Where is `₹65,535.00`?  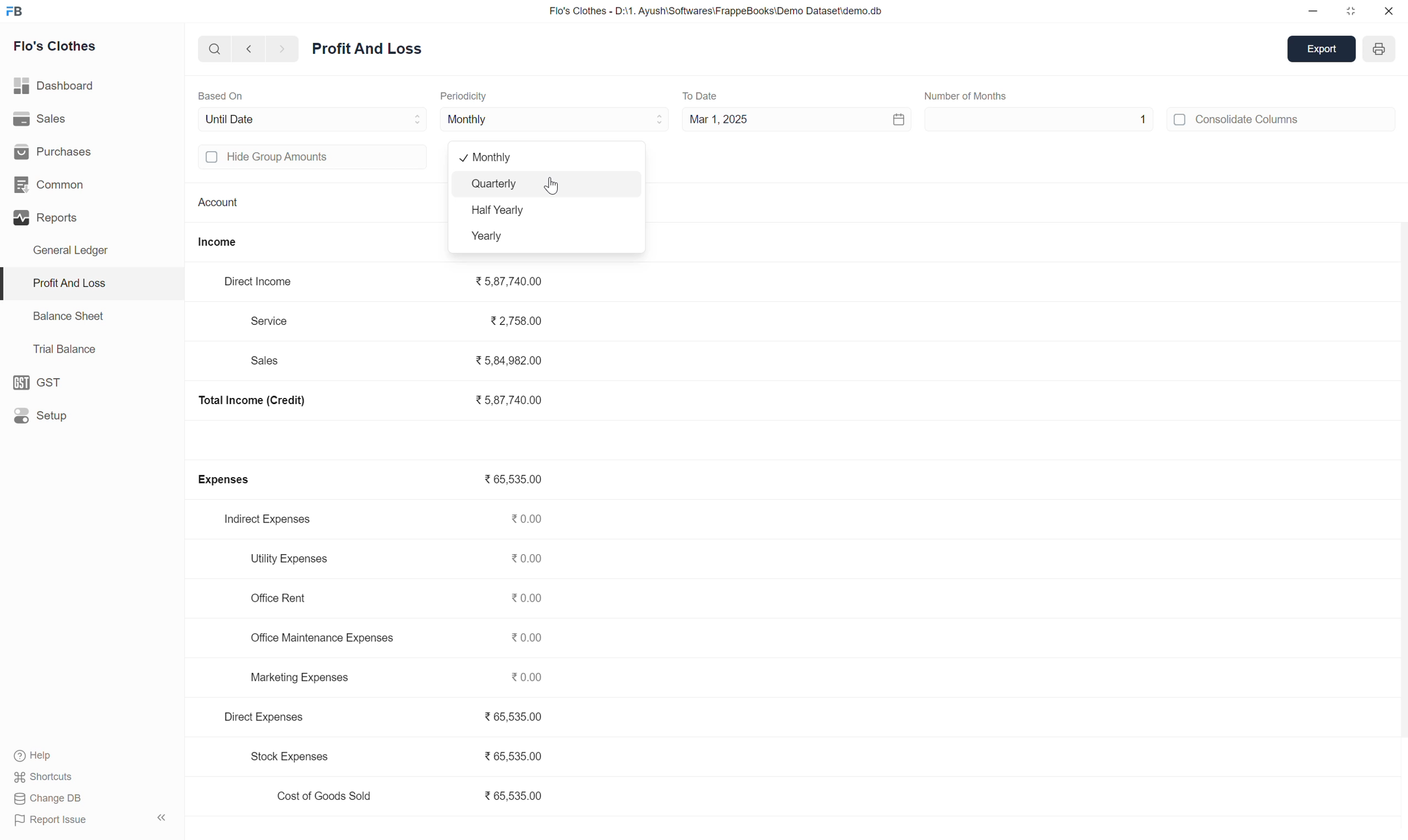 ₹65,535.00 is located at coordinates (514, 798).